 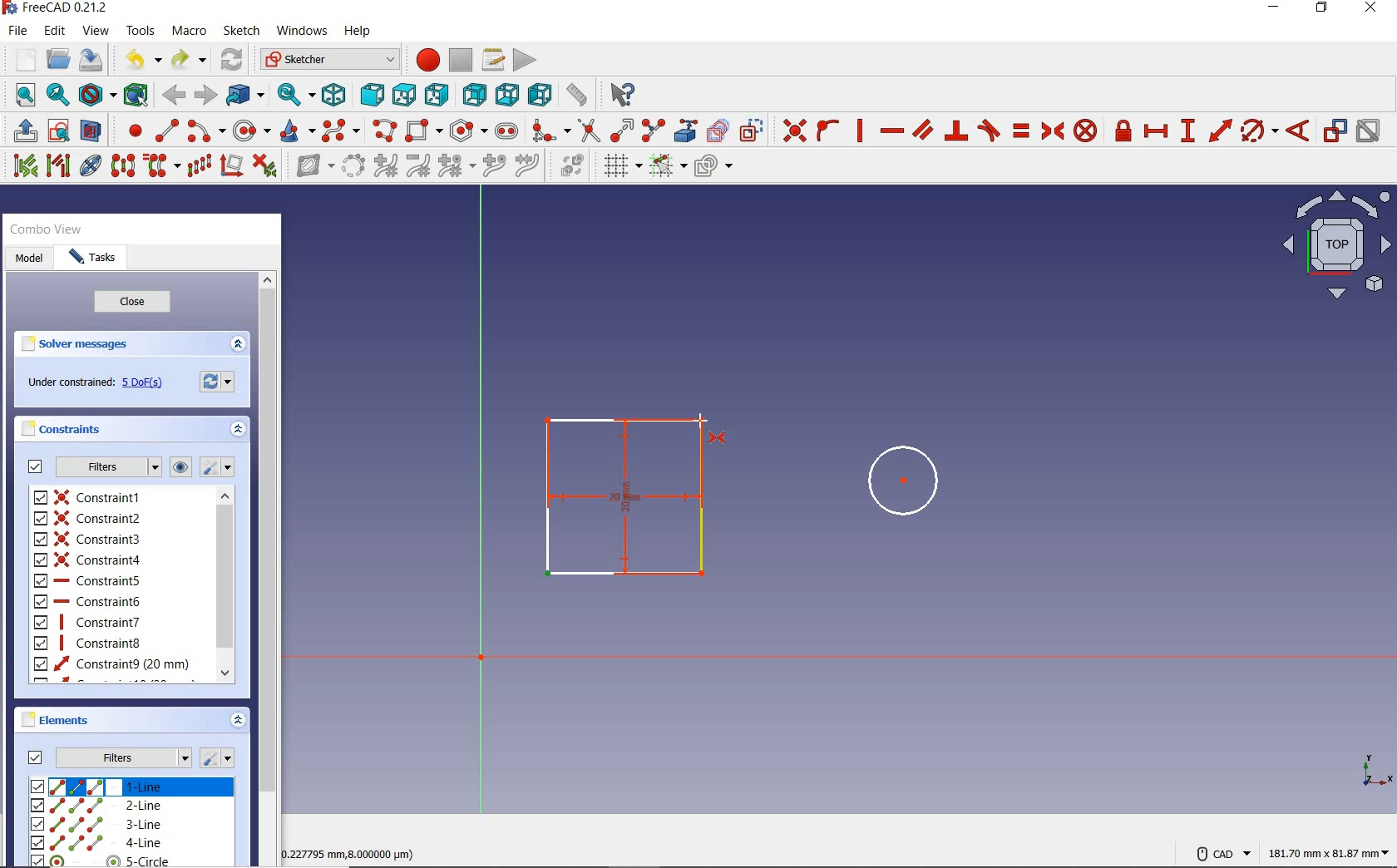 I want to click on create circle, so click(x=253, y=130).